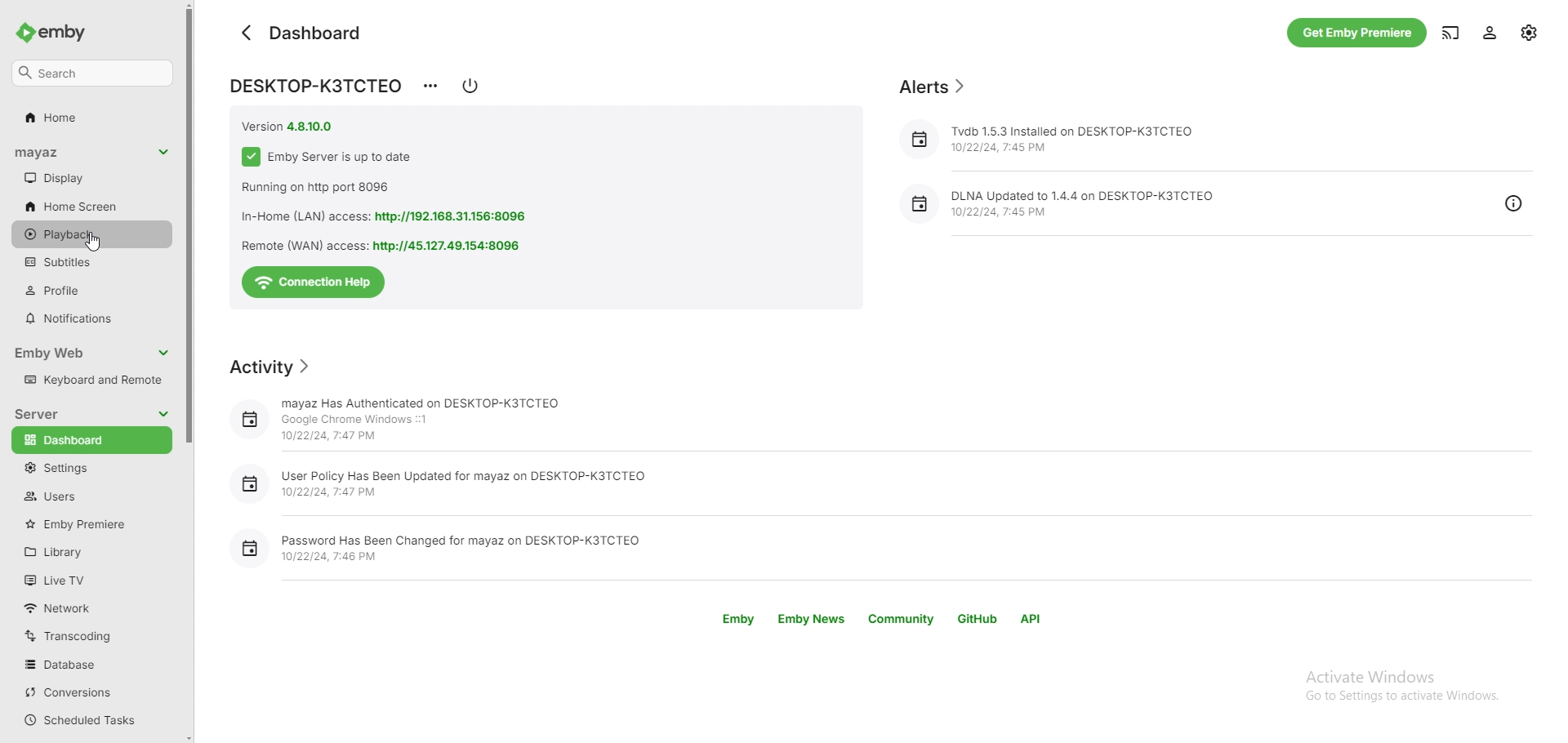 This screenshot has height=743, width=1568. I want to click on scroll bar, so click(193, 371).